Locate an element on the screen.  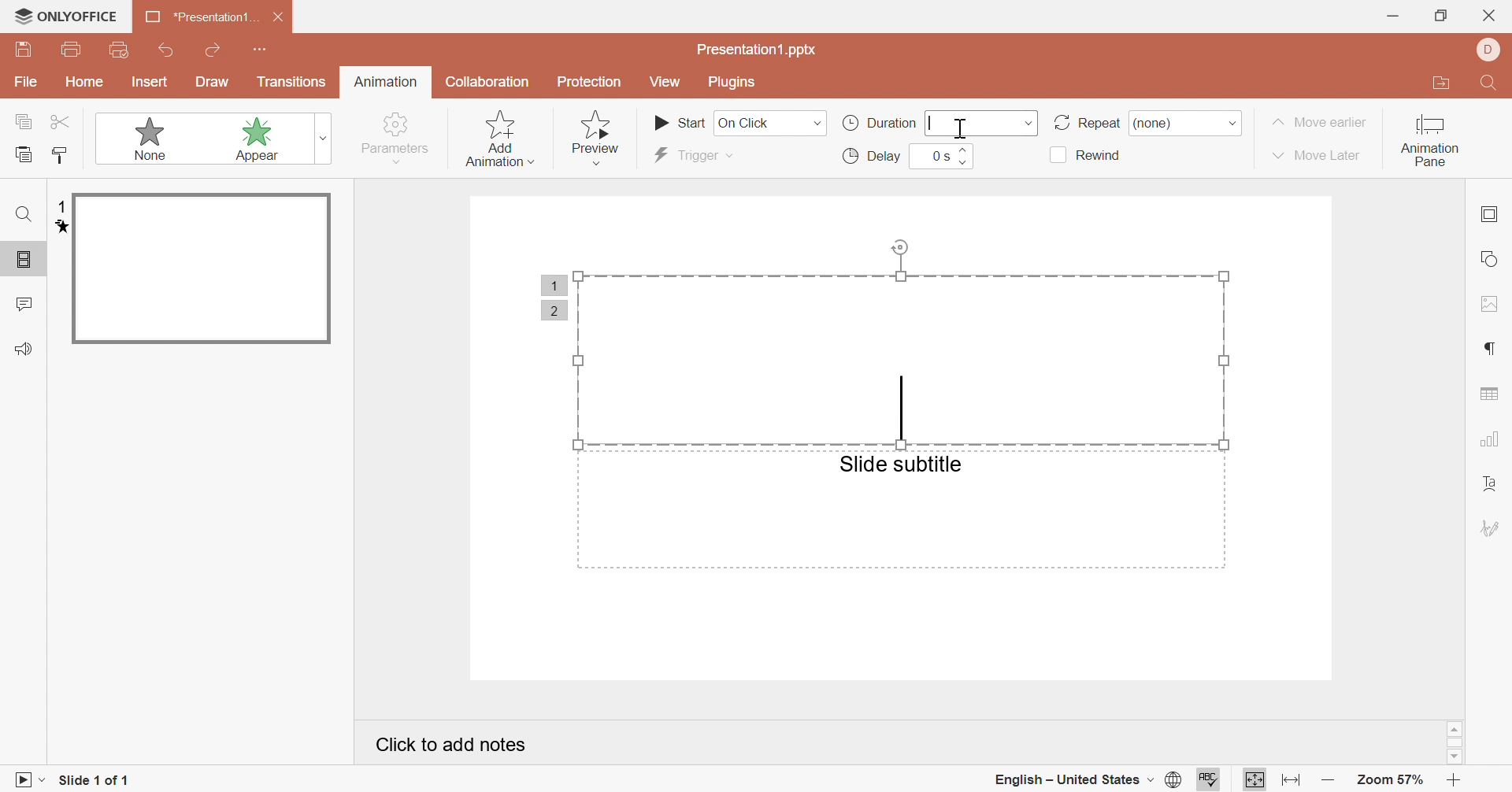
view is located at coordinates (665, 81).